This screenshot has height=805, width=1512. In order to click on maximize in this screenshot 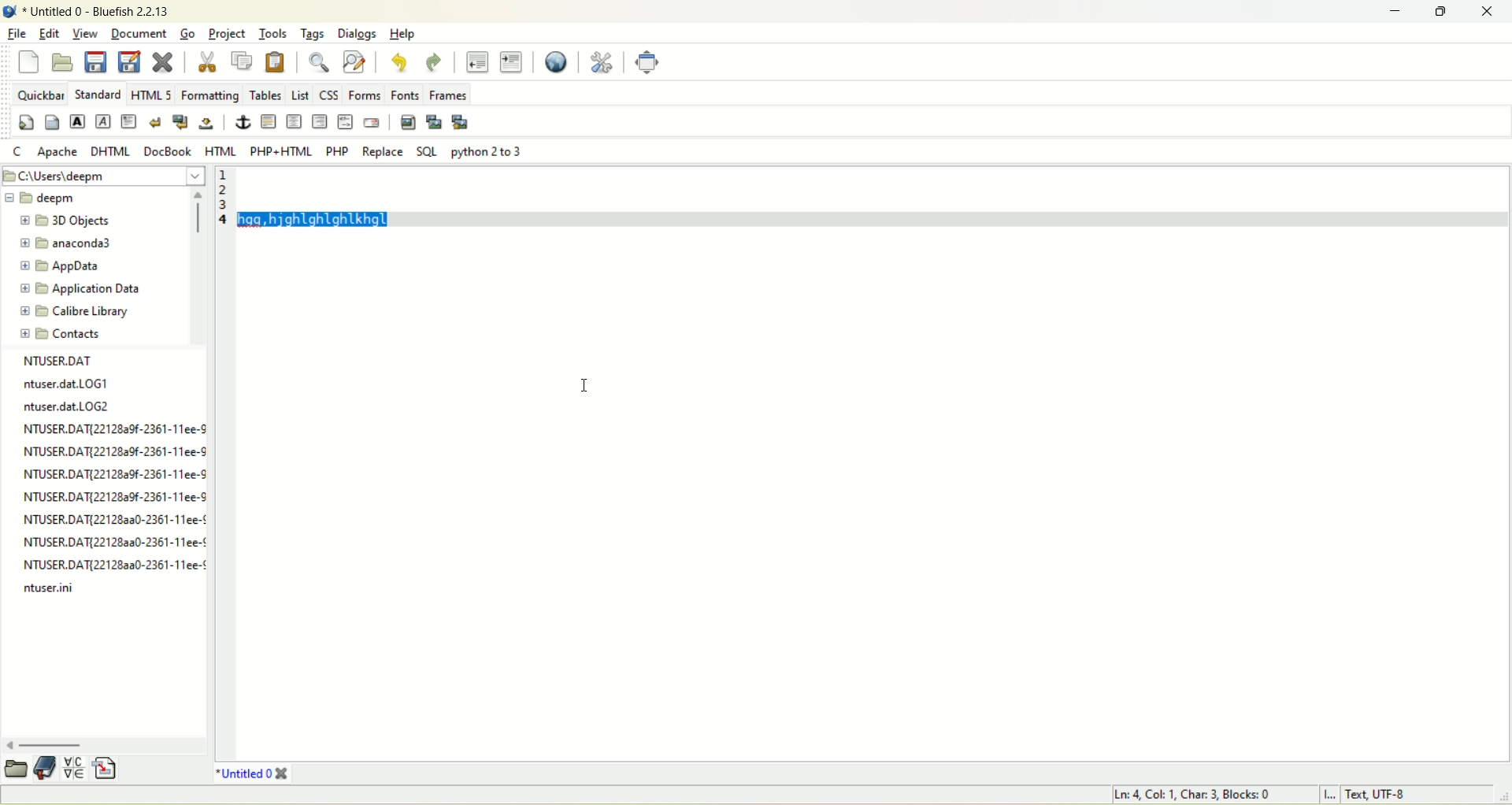, I will do `click(1445, 13)`.